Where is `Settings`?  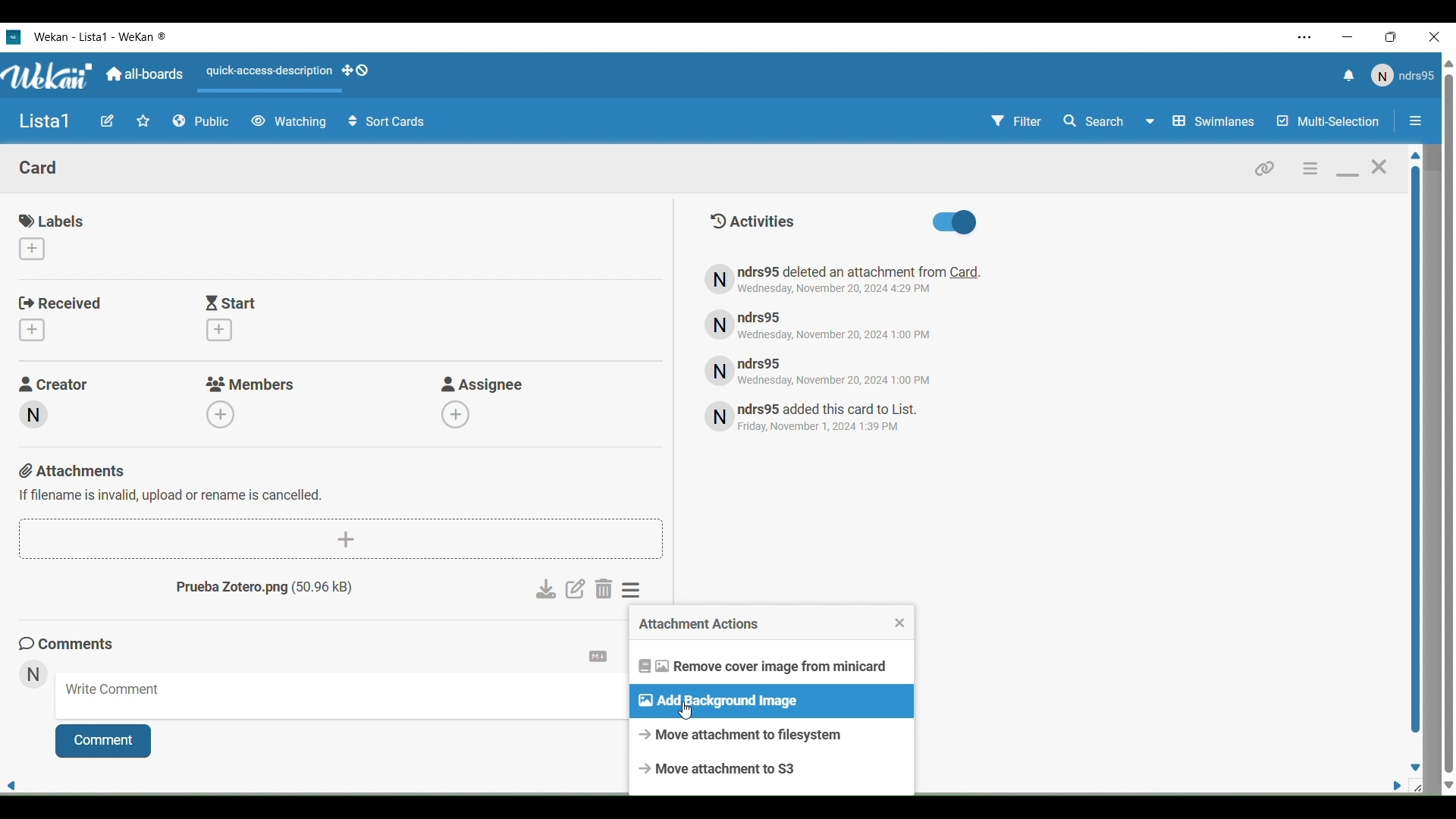
Settings is located at coordinates (634, 590).